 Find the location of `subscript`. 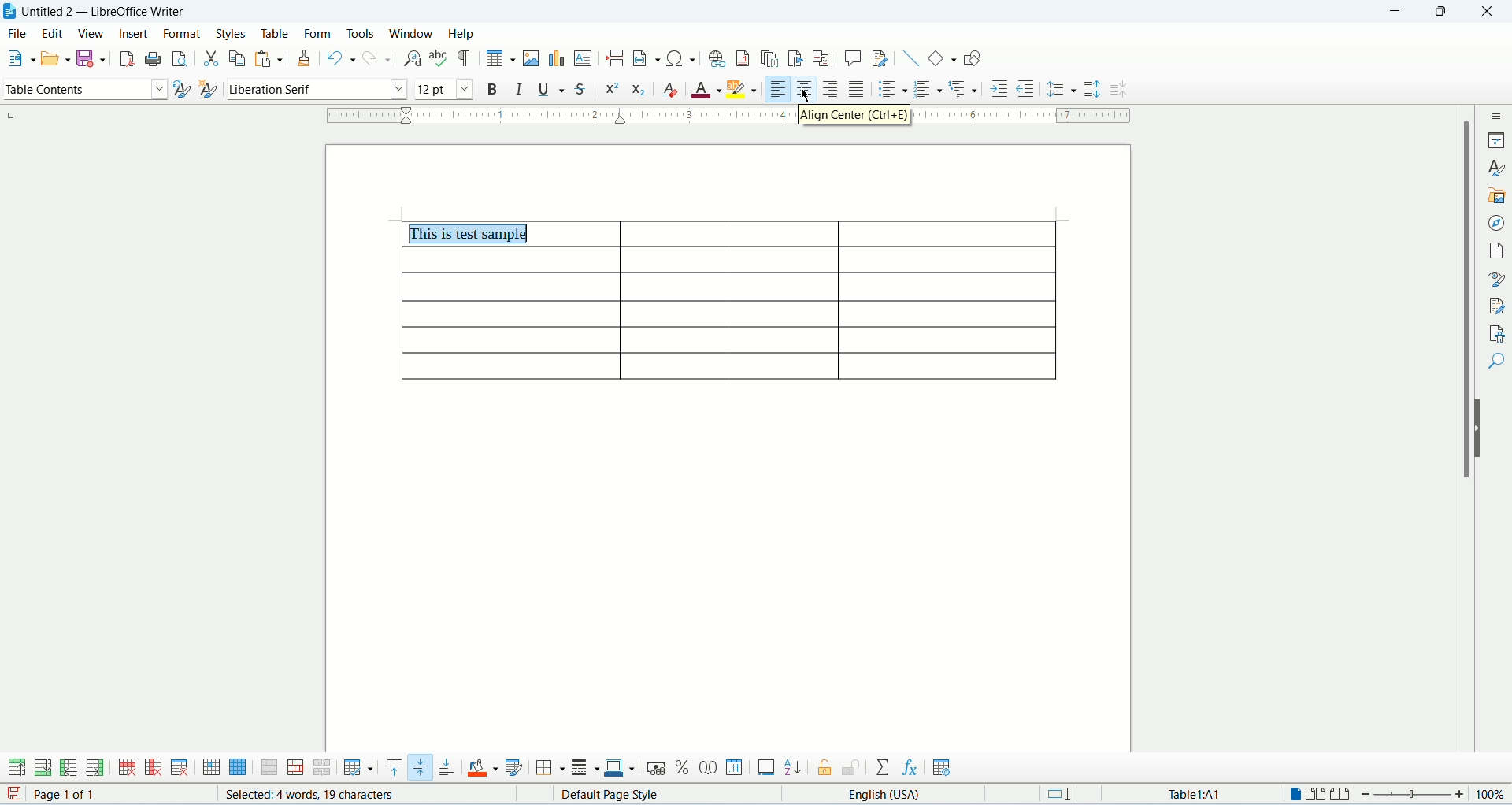

subscript is located at coordinates (636, 91).